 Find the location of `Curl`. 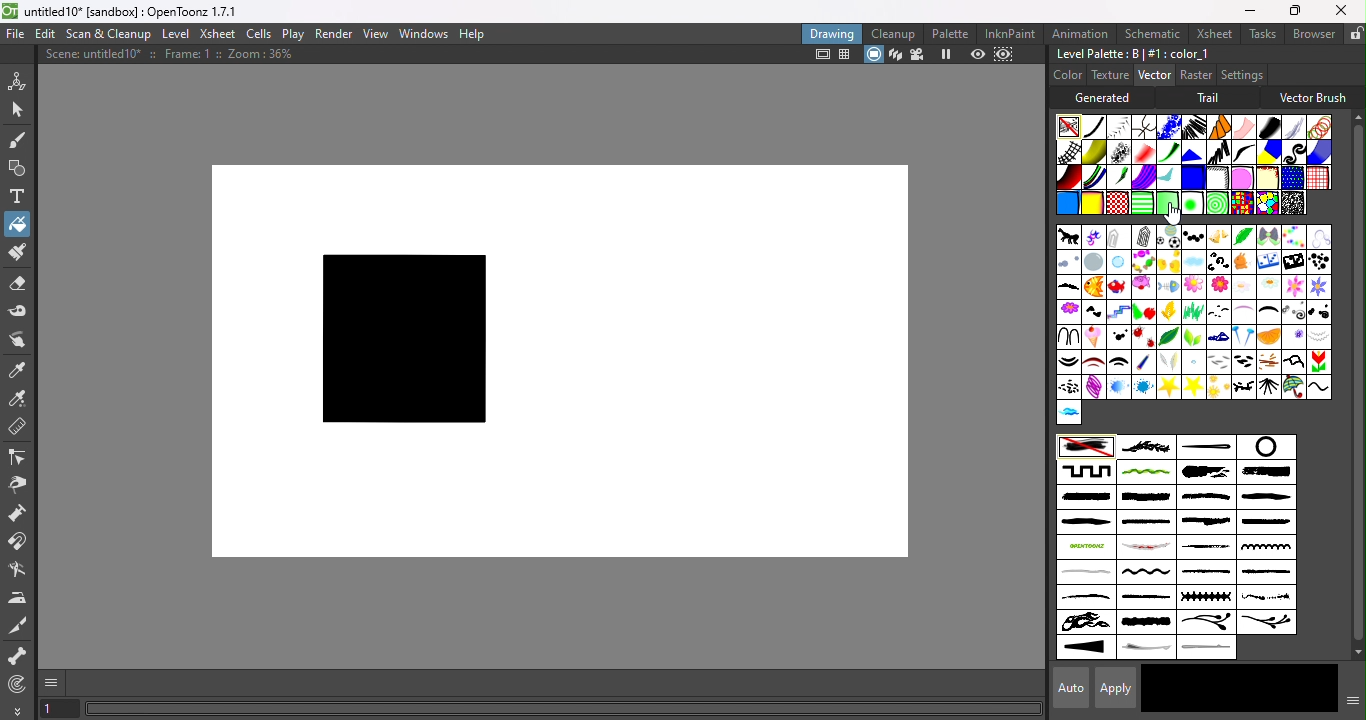

Curl is located at coordinates (1218, 261).